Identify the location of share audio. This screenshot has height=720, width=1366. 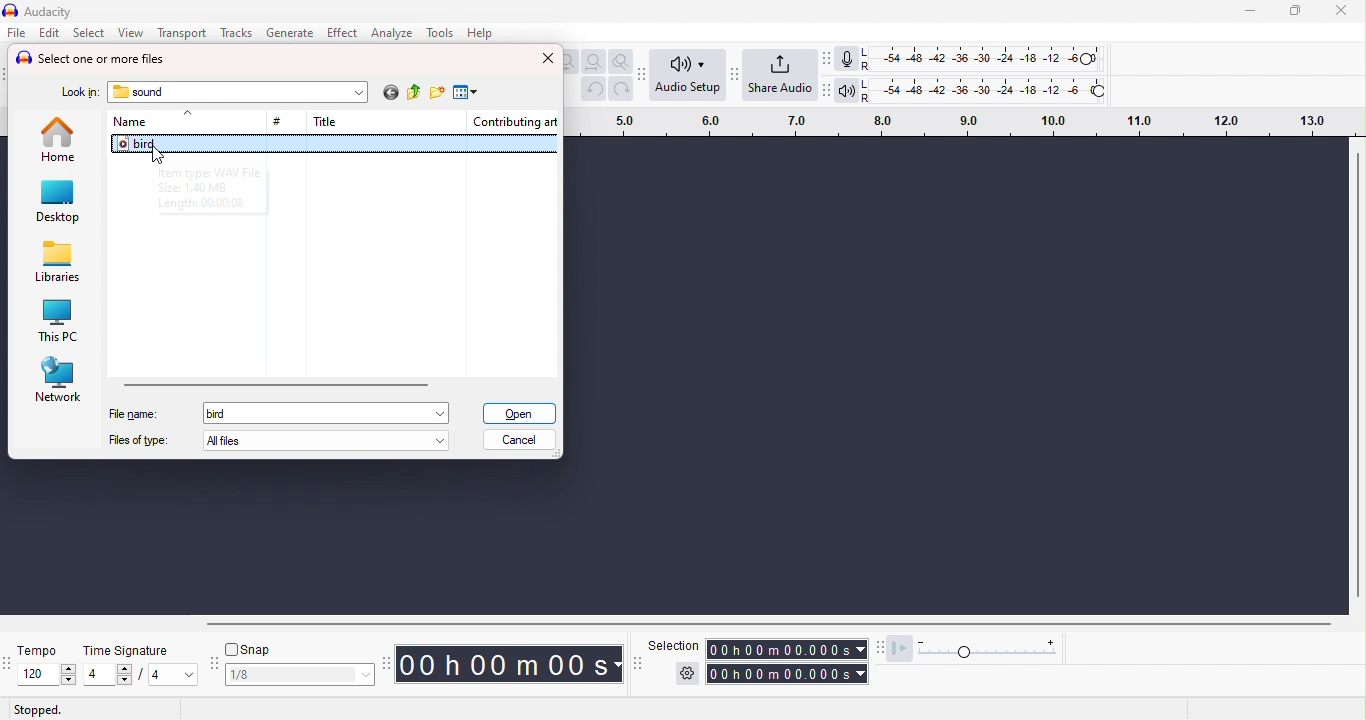
(780, 75).